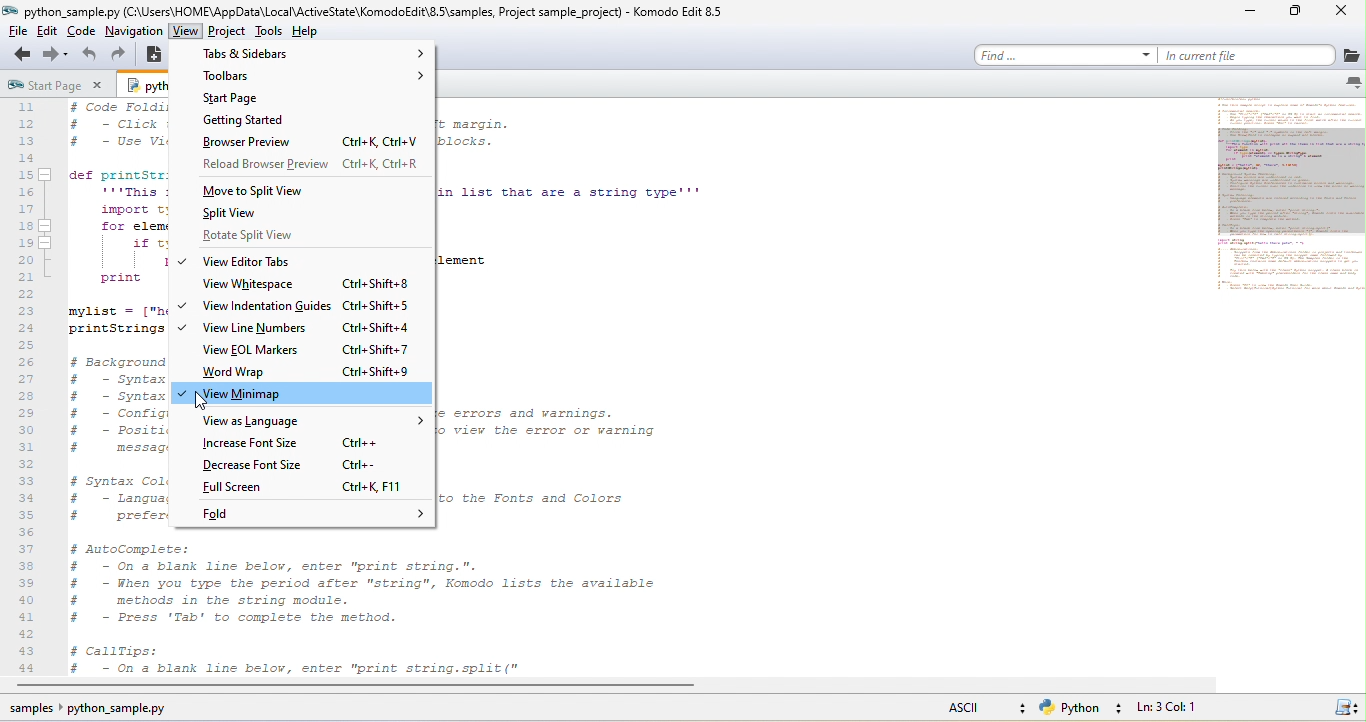  Describe the element at coordinates (236, 209) in the screenshot. I see `split view` at that location.